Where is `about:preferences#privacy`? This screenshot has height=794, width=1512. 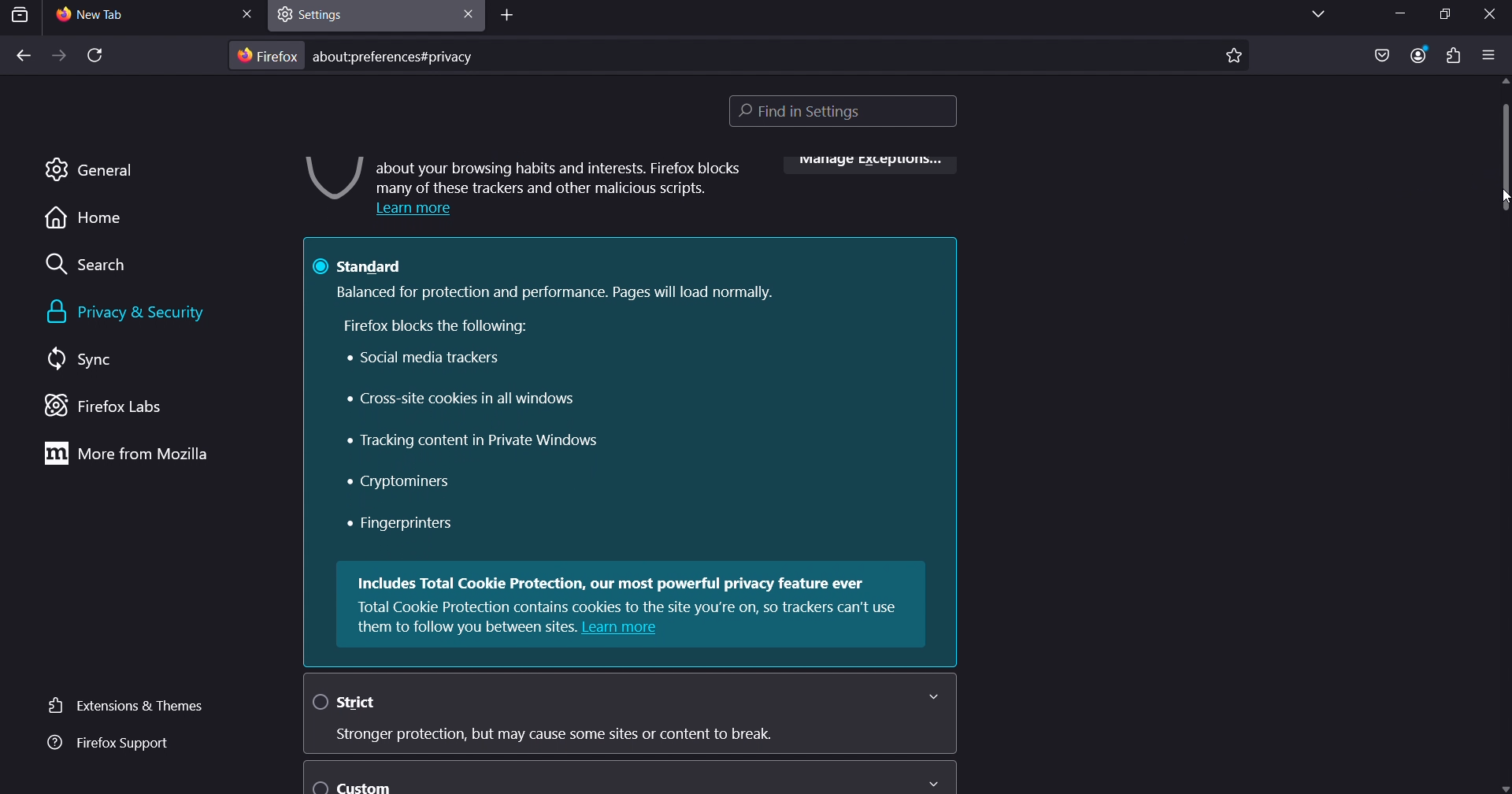
about:preferences#privacy is located at coordinates (403, 56).